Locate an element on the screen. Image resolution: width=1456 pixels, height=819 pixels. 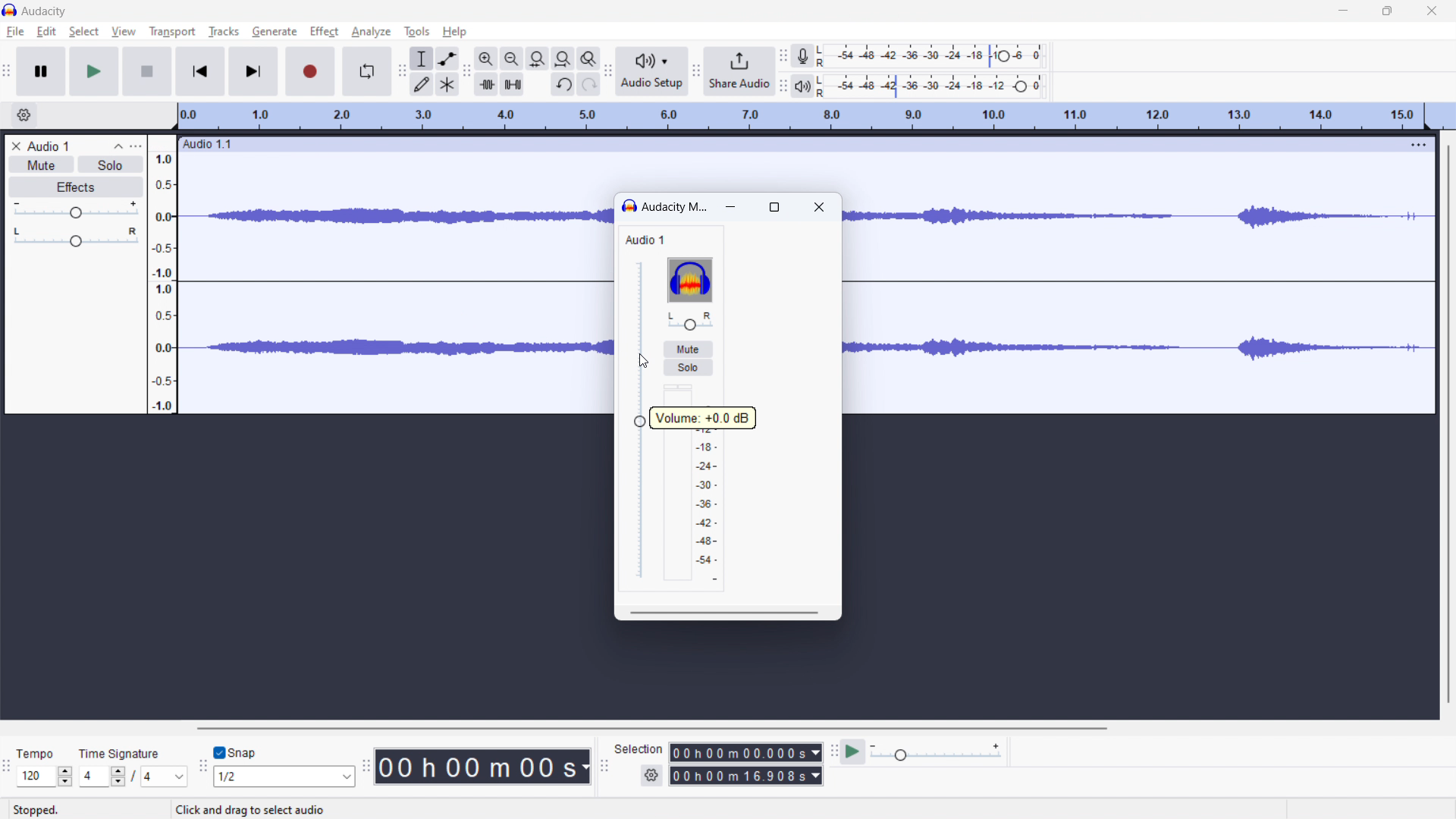
select tempo is located at coordinates (45, 777).